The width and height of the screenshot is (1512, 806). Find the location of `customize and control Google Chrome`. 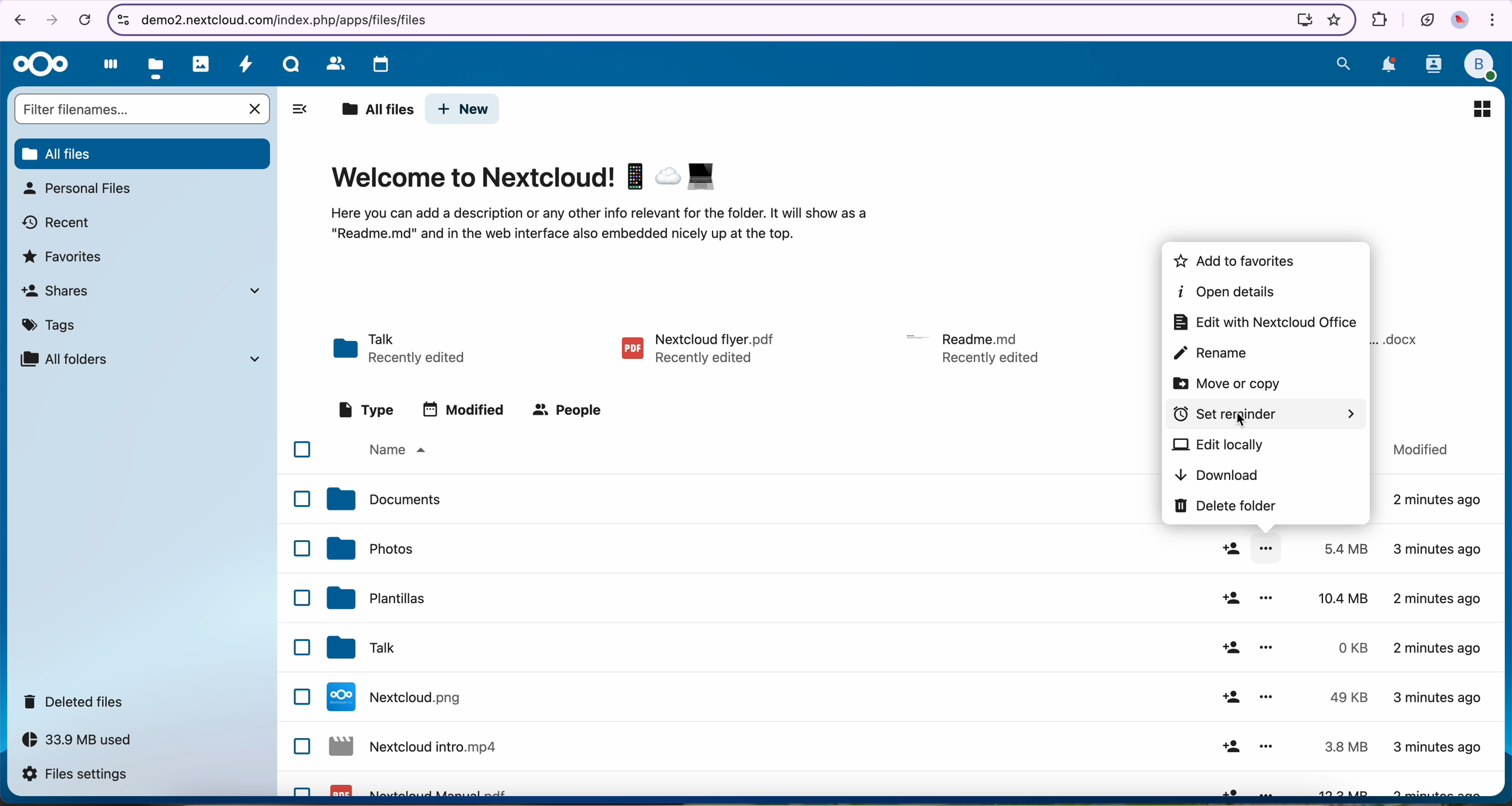

customize and control Google Chrome is located at coordinates (1494, 22).